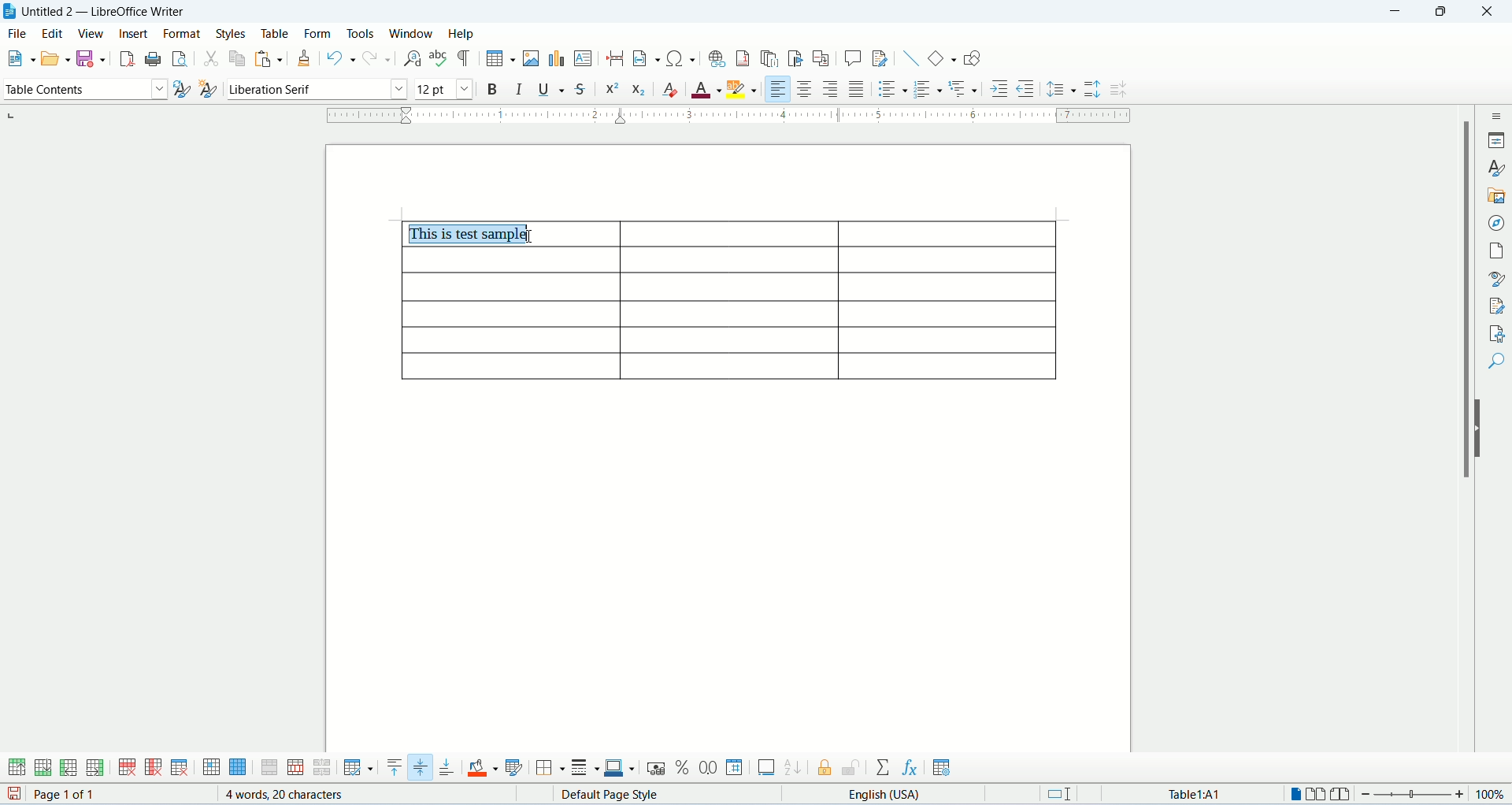 Image resolution: width=1512 pixels, height=805 pixels. Describe the element at coordinates (472, 234) in the screenshot. I see `this is test sample` at that location.